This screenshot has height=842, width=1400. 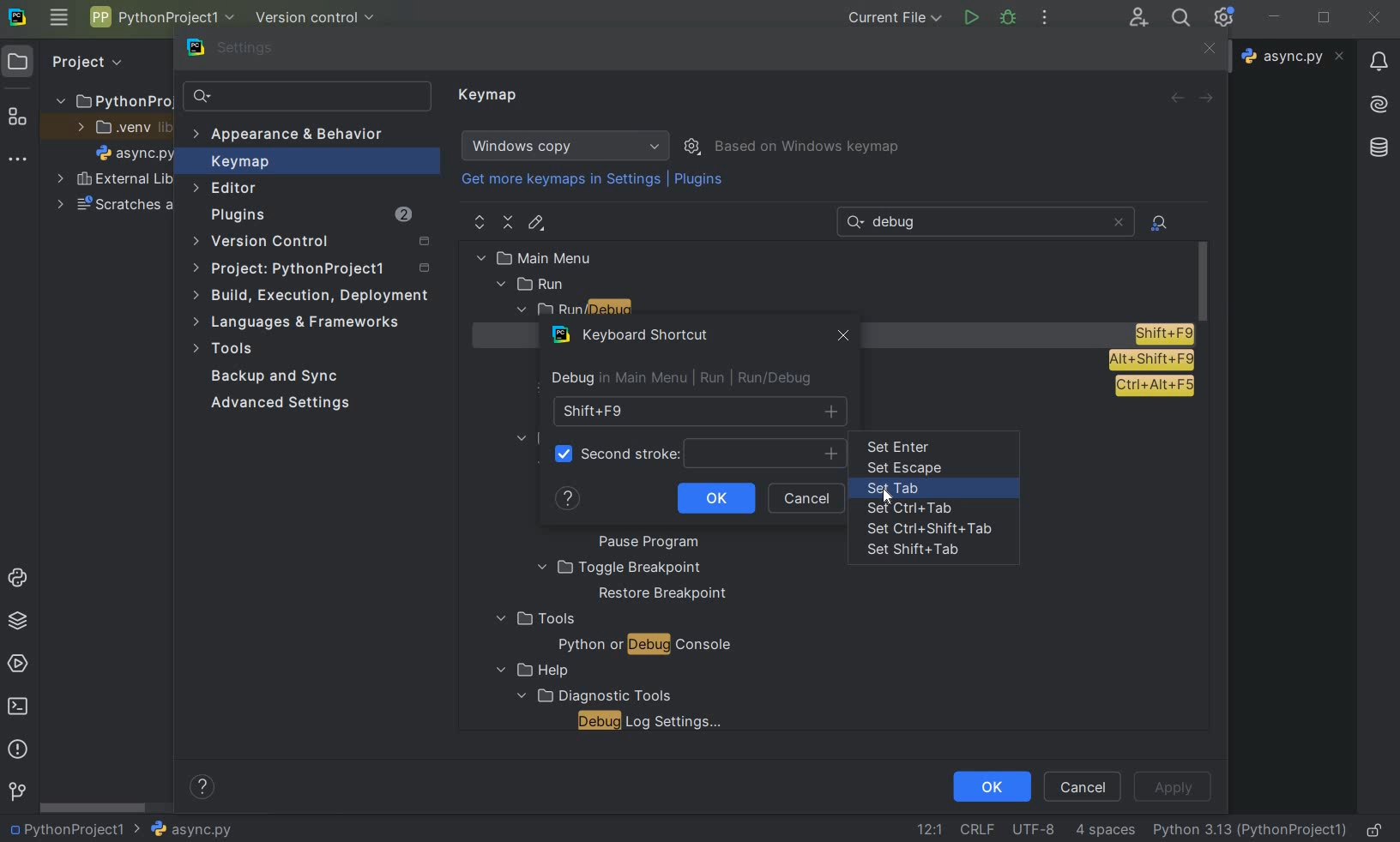 I want to click on python or debug console, so click(x=644, y=647).